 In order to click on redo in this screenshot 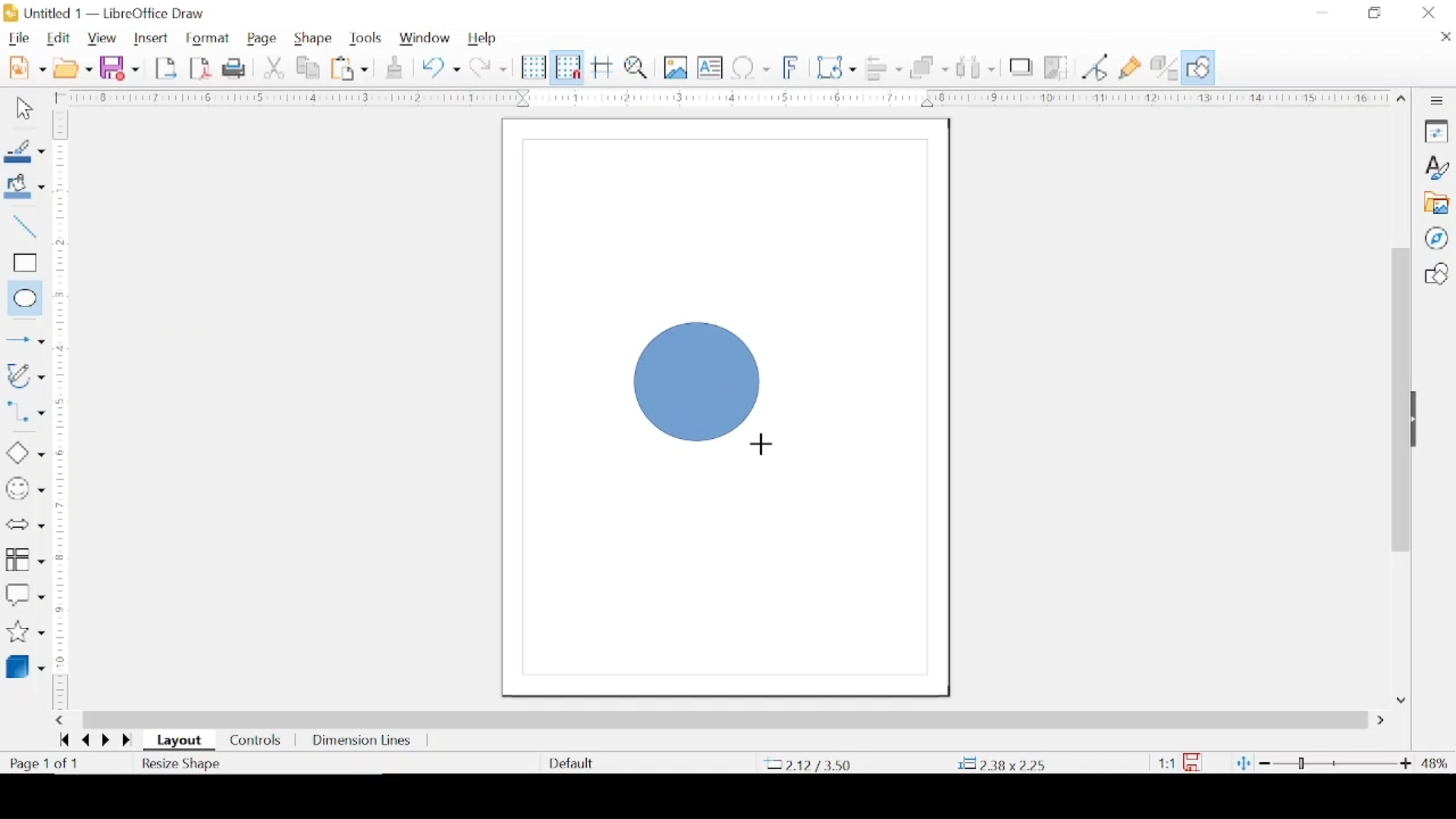, I will do `click(489, 67)`.